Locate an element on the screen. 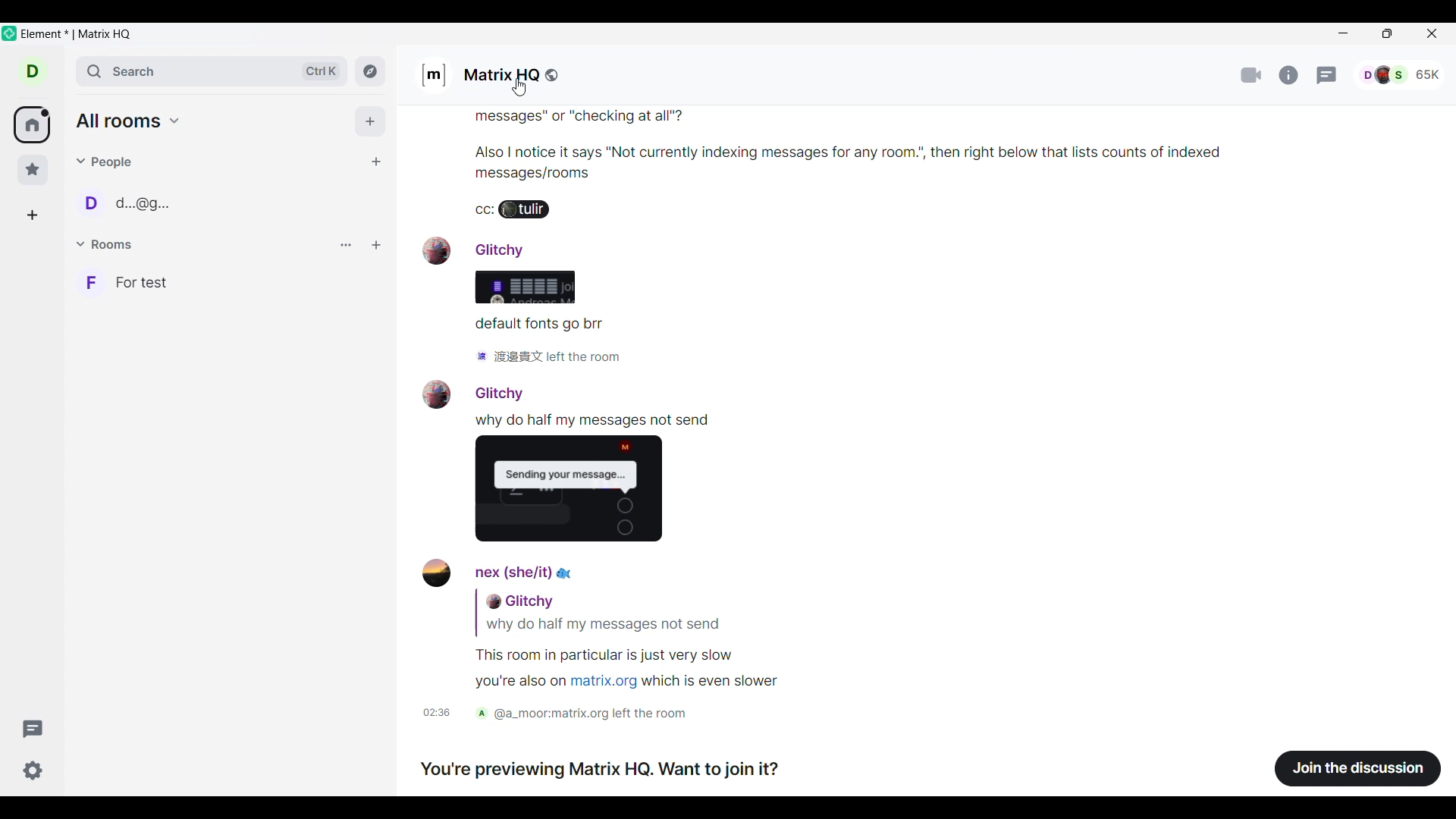  nex (she/it) is located at coordinates (502, 573).